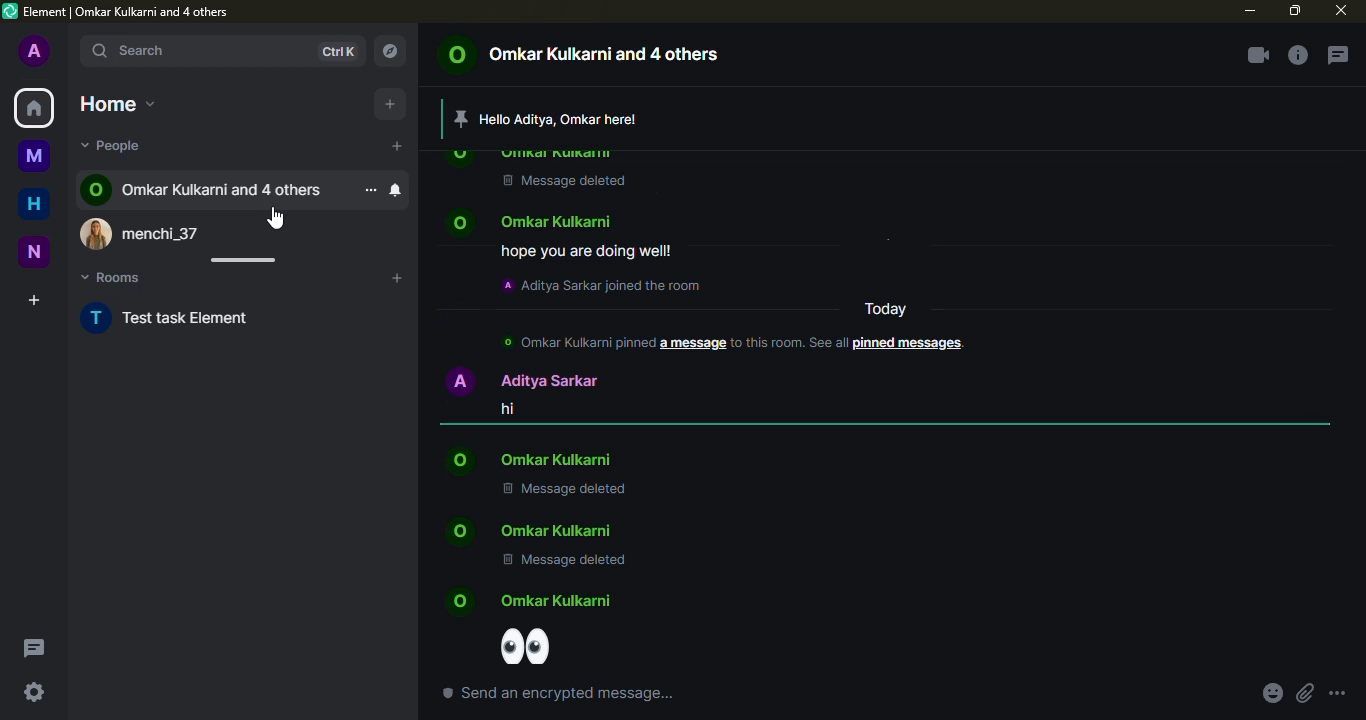  What do you see at coordinates (561, 696) in the screenshot?
I see `send an encrypted message...` at bounding box center [561, 696].